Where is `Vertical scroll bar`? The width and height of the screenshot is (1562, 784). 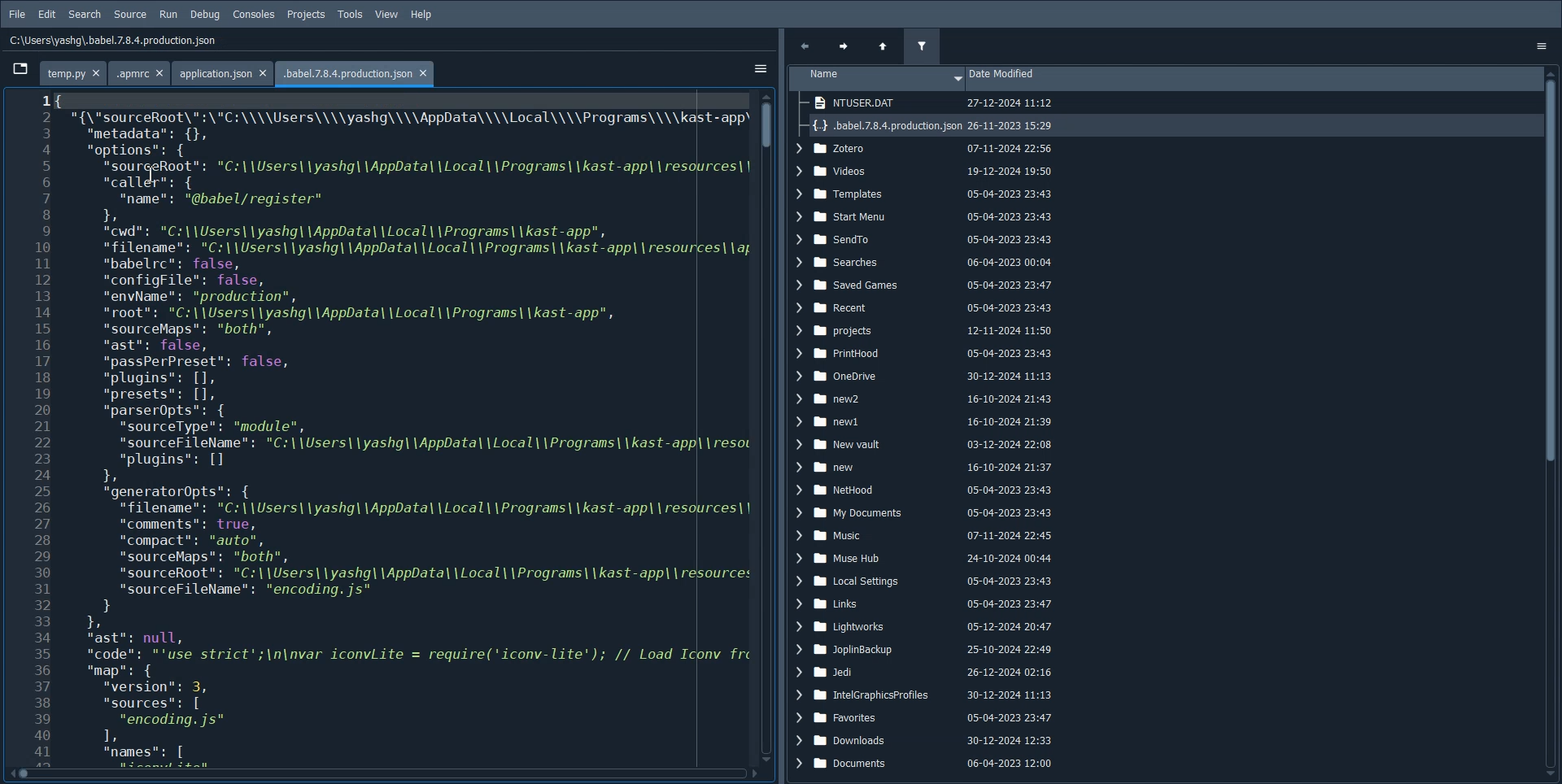
Vertical scroll bar is located at coordinates (1552, 423).